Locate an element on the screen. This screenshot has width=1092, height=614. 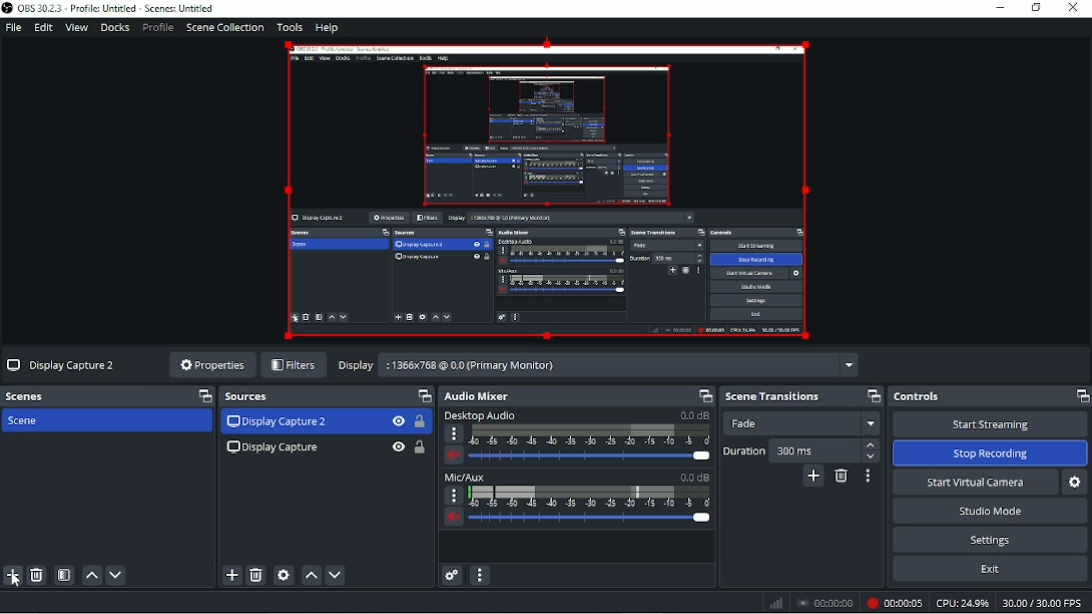
Controls is located at coordinates (920, 397).